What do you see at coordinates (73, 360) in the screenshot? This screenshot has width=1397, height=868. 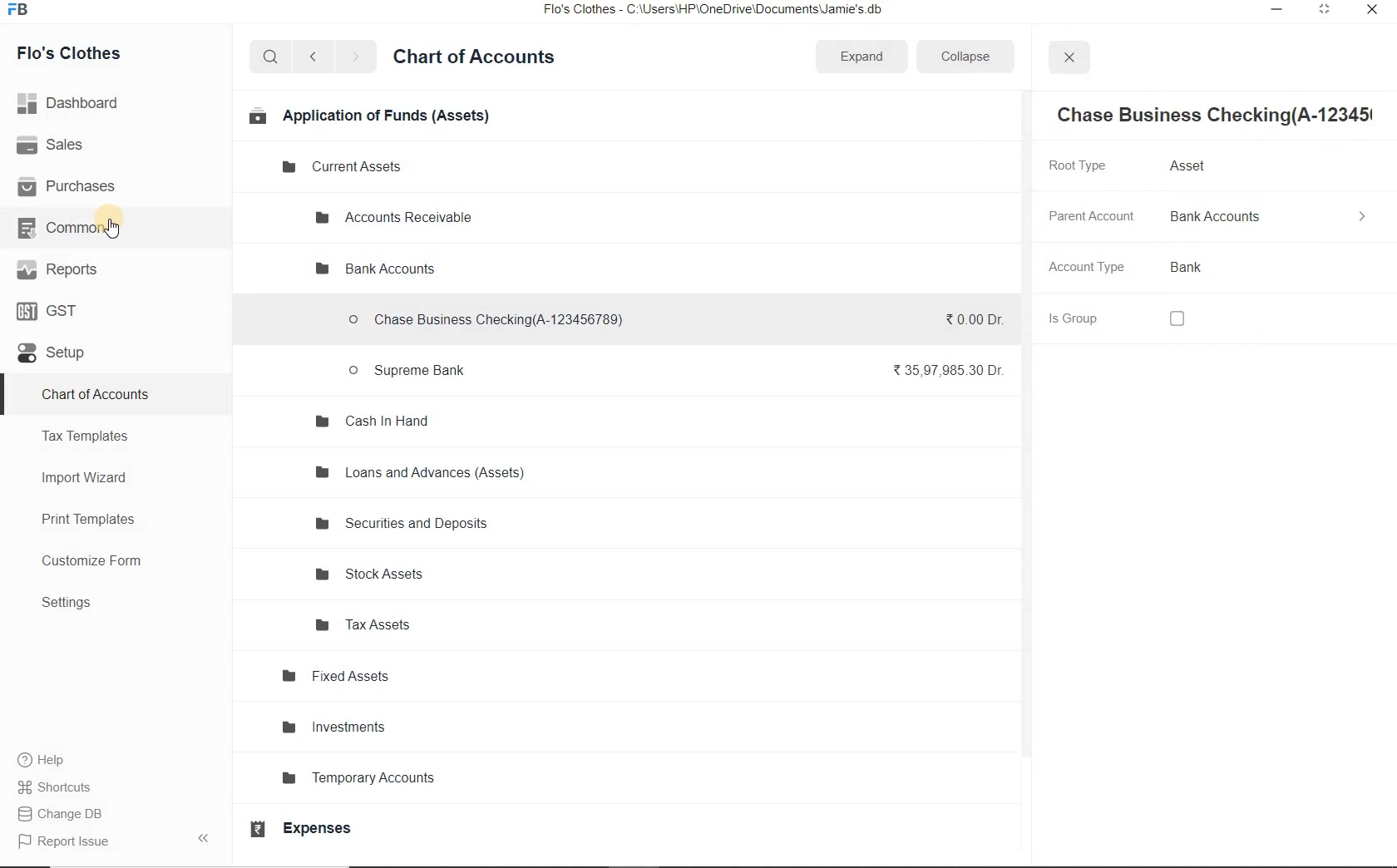 I see `Setup` at bounding box center [73, 360].